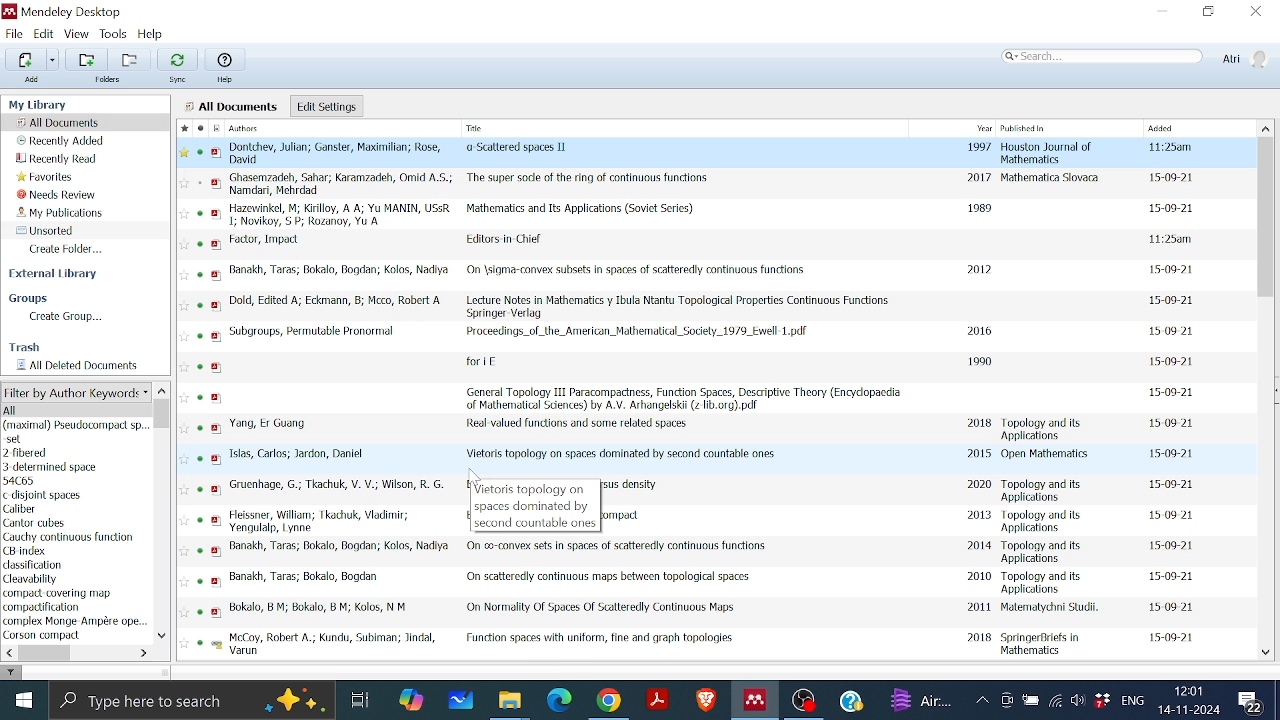  I want to click on Title, so click(579, 208).